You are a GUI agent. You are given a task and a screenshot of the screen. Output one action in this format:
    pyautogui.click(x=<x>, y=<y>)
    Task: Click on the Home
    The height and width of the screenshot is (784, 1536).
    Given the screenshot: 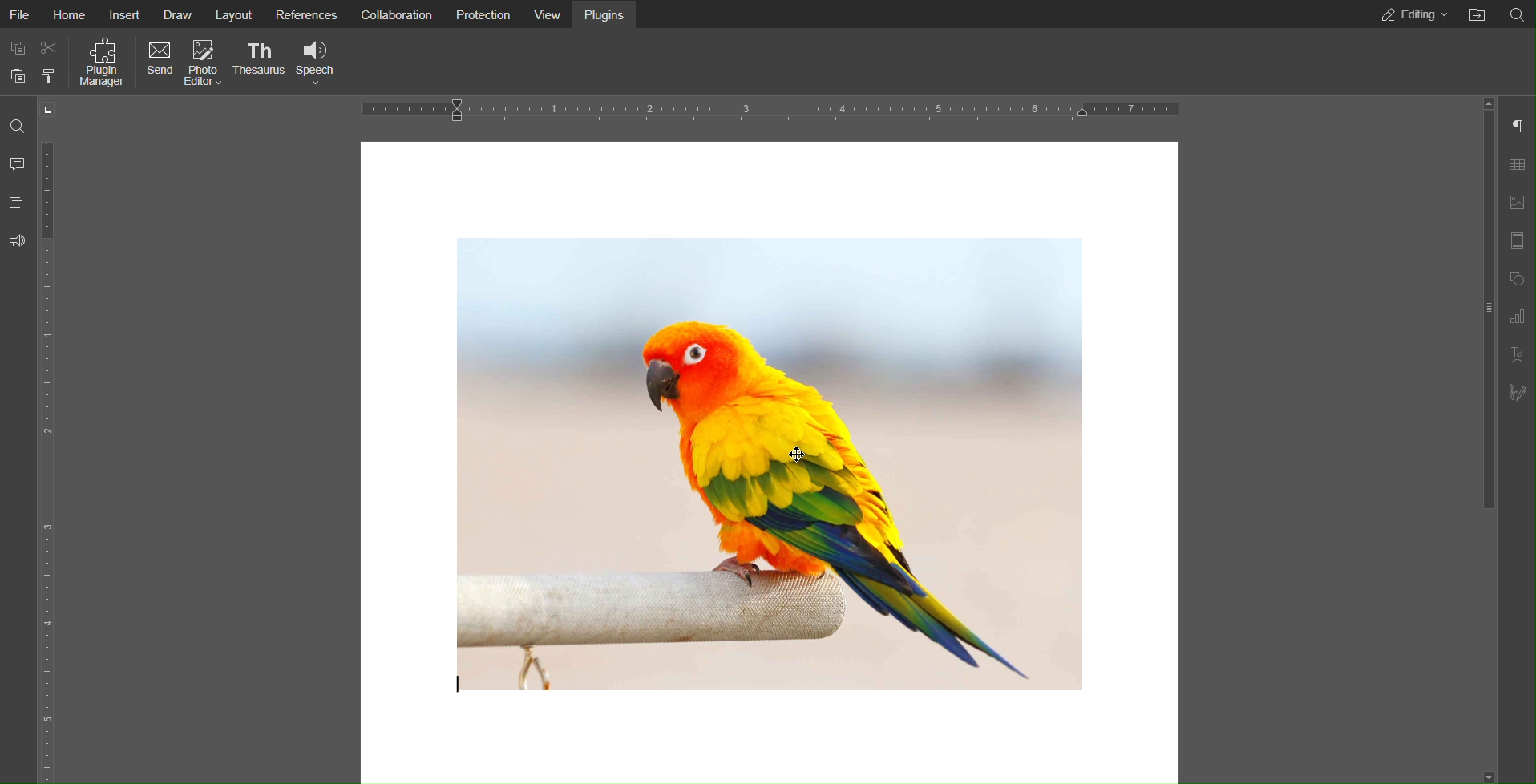 What is the action you would take?
    pyautogui.click(x=71, y=13)
    